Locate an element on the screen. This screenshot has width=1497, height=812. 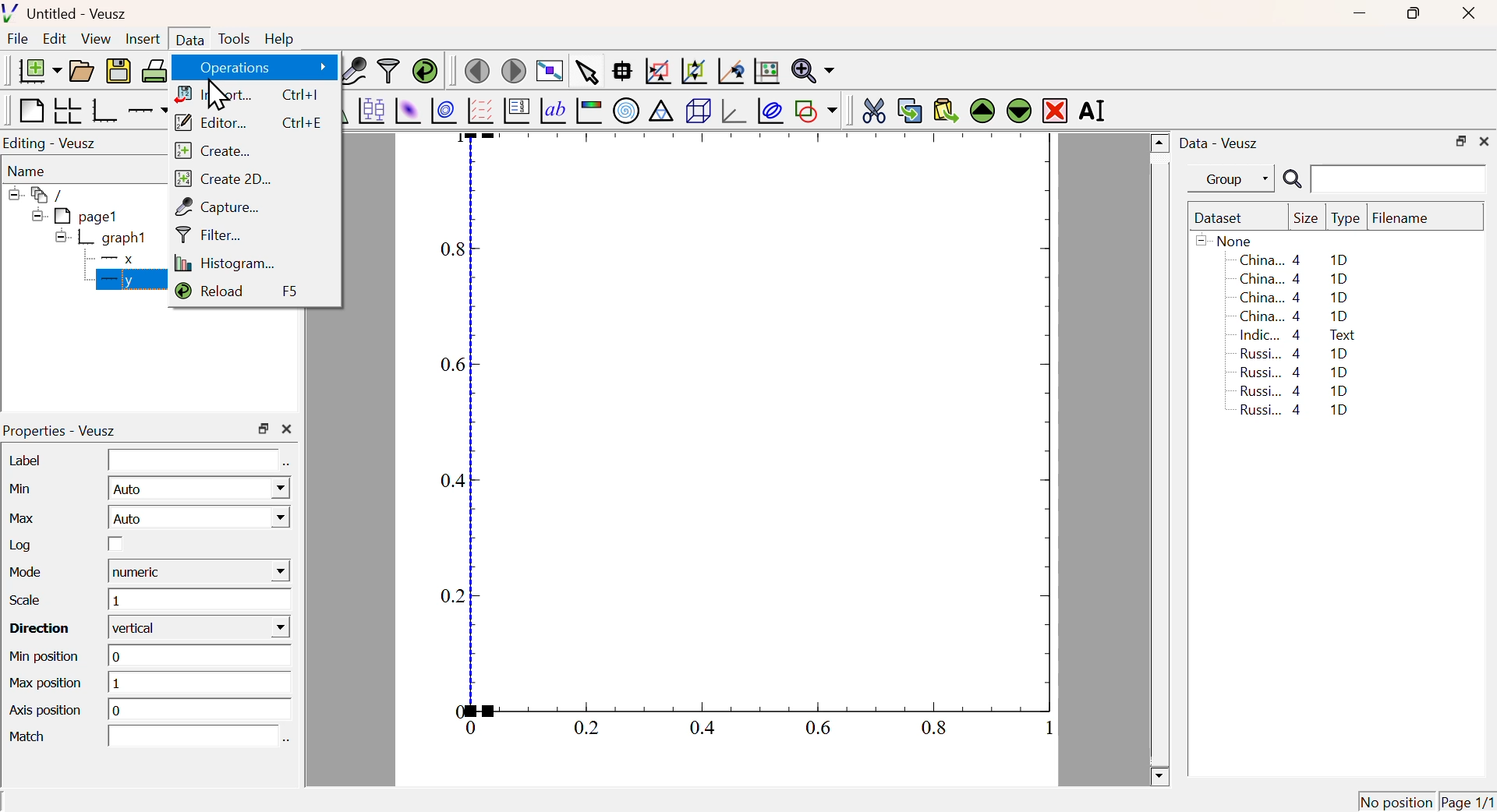
Polar Graph is located at coordinates (627, 110).